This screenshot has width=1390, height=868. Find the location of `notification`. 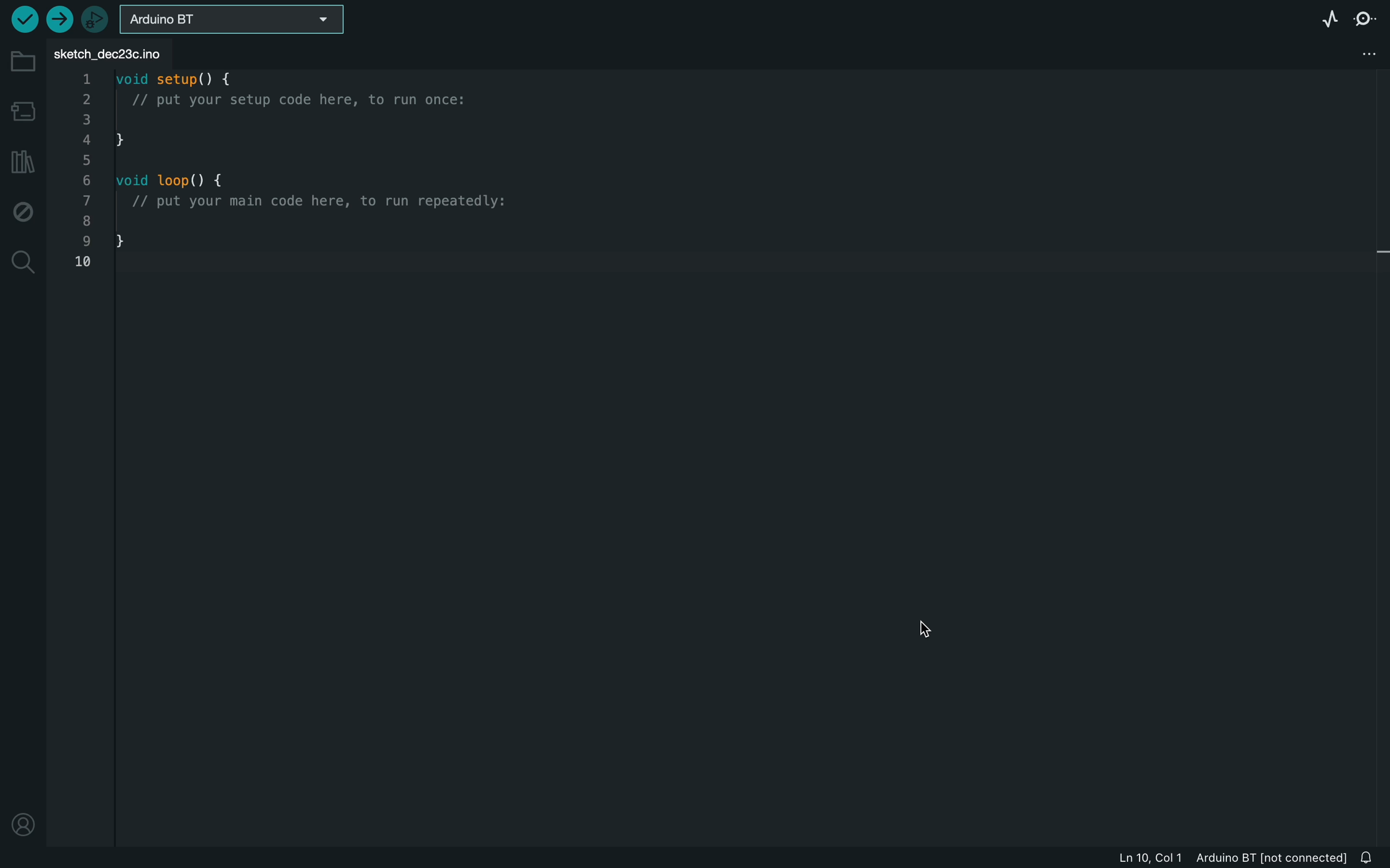

notification is located at coordinates (1372, 858).